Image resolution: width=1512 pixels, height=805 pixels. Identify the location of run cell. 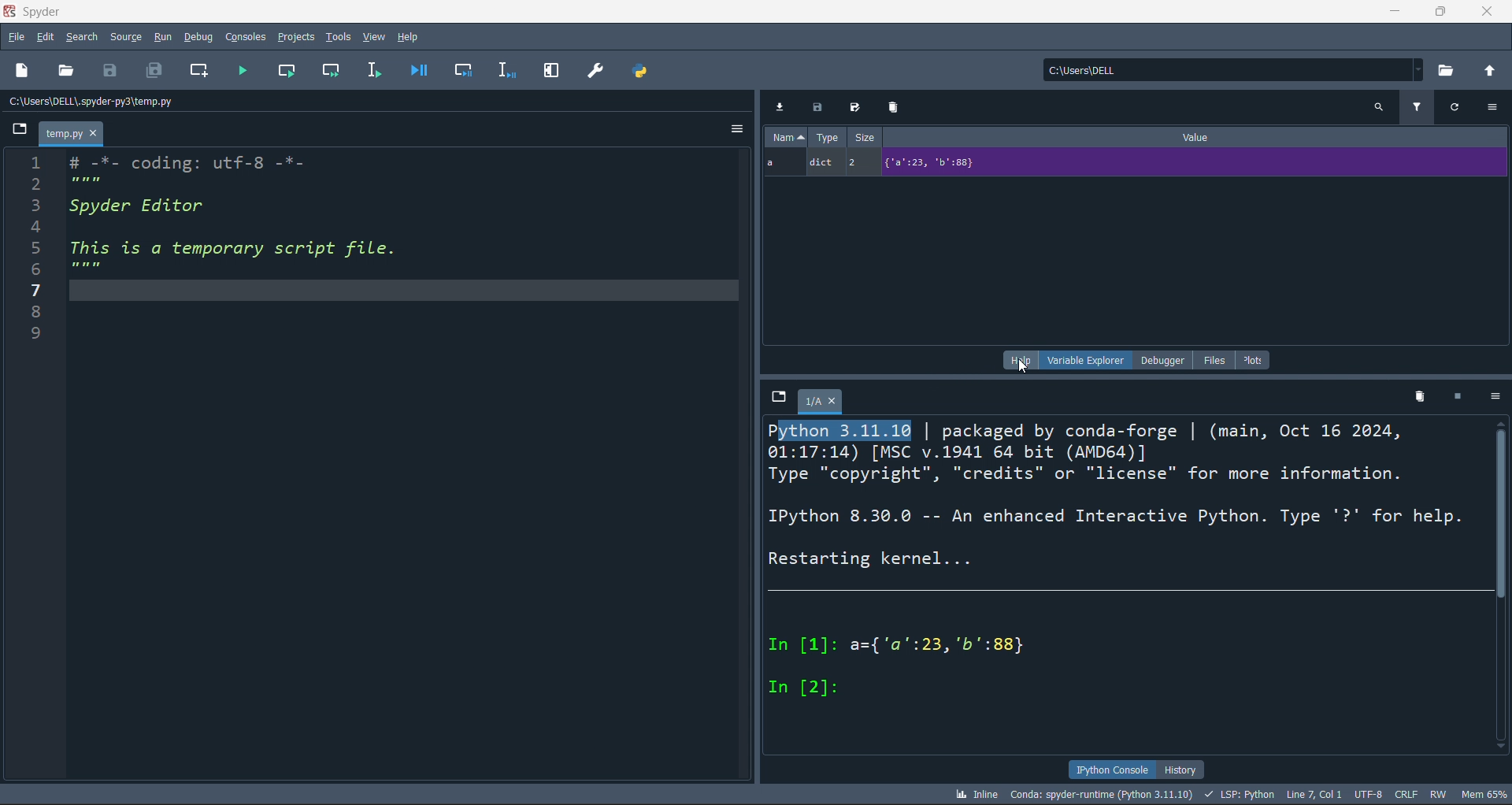
(288, 70).